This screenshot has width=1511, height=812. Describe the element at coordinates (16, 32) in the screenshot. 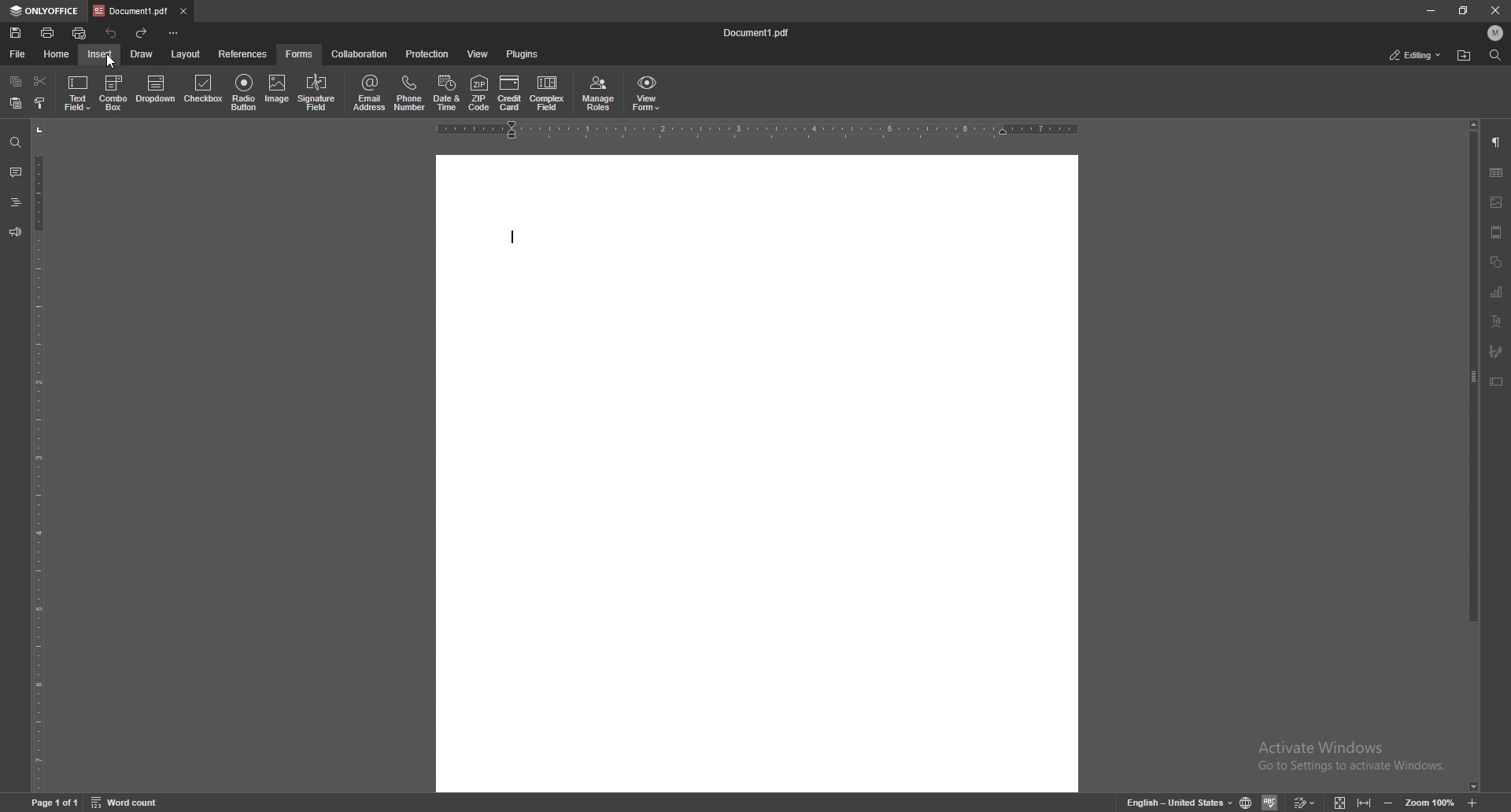

I see `save` at that location.